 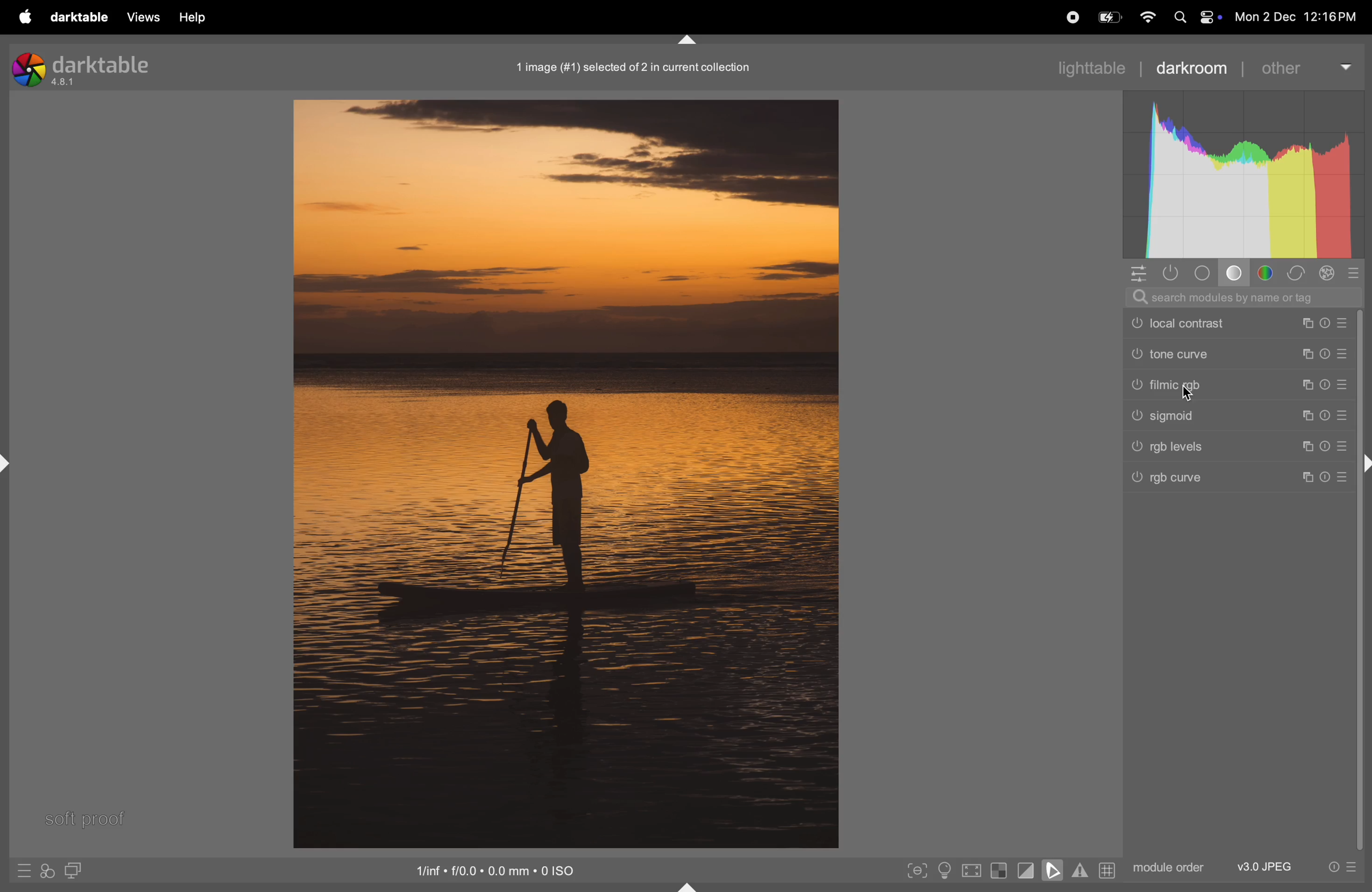 What do you see at coordinates (1355, 273) in the screenshot?
I see `presets` at bounding box center [1355, 273].